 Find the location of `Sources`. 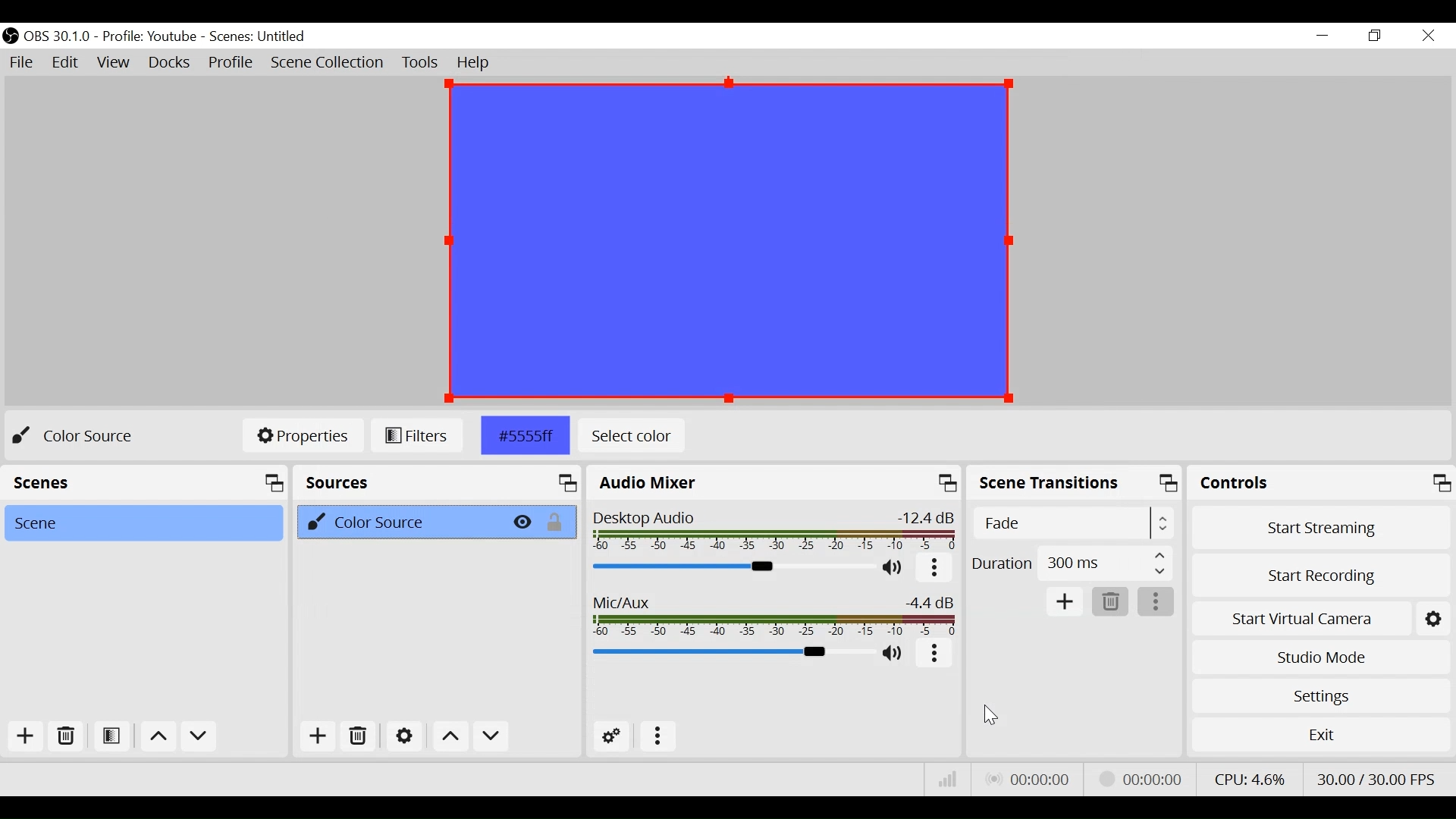

Sources is located at coordinates (438, 485).